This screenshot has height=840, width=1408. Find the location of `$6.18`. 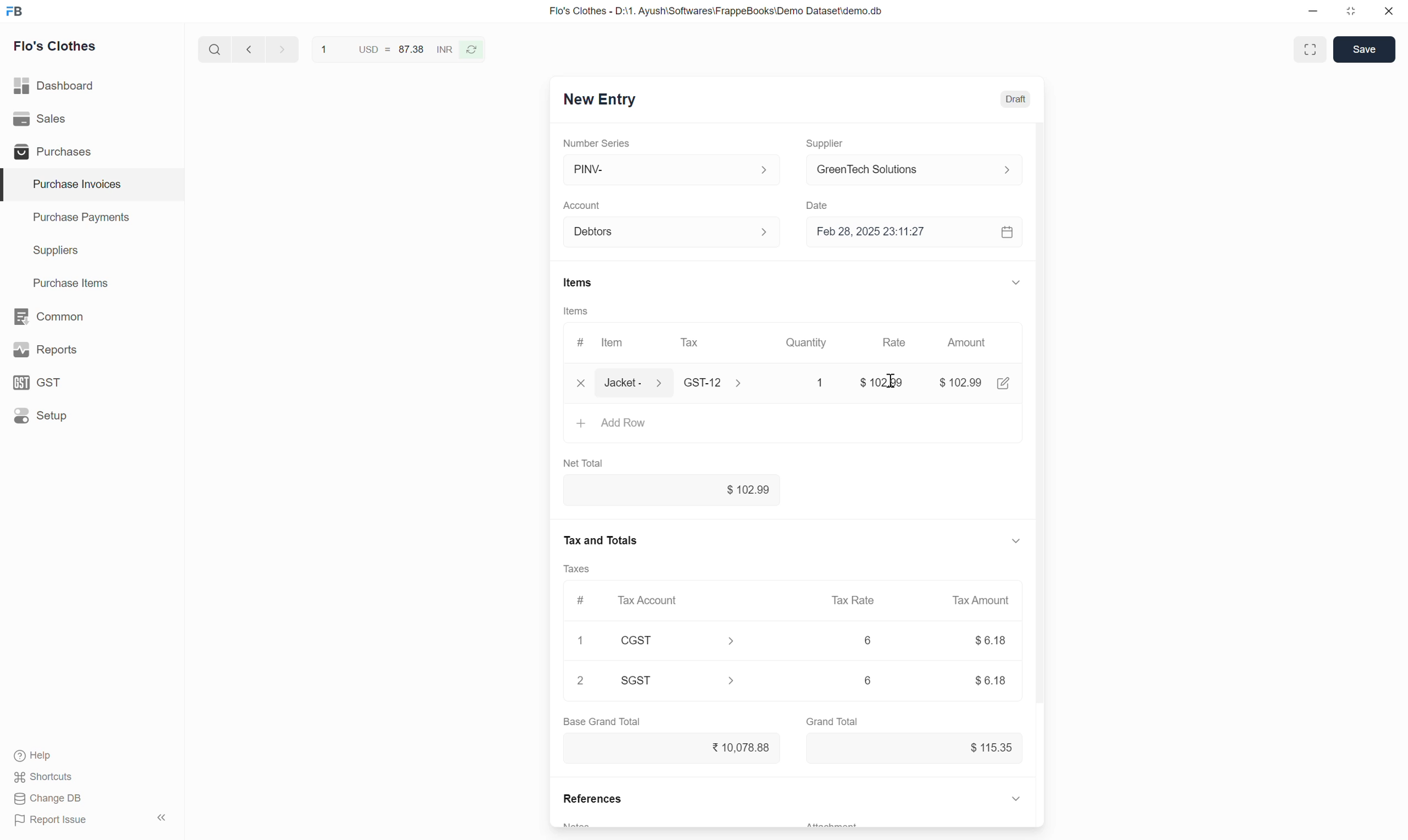

$6.18 is located at coordinates (991, 640).